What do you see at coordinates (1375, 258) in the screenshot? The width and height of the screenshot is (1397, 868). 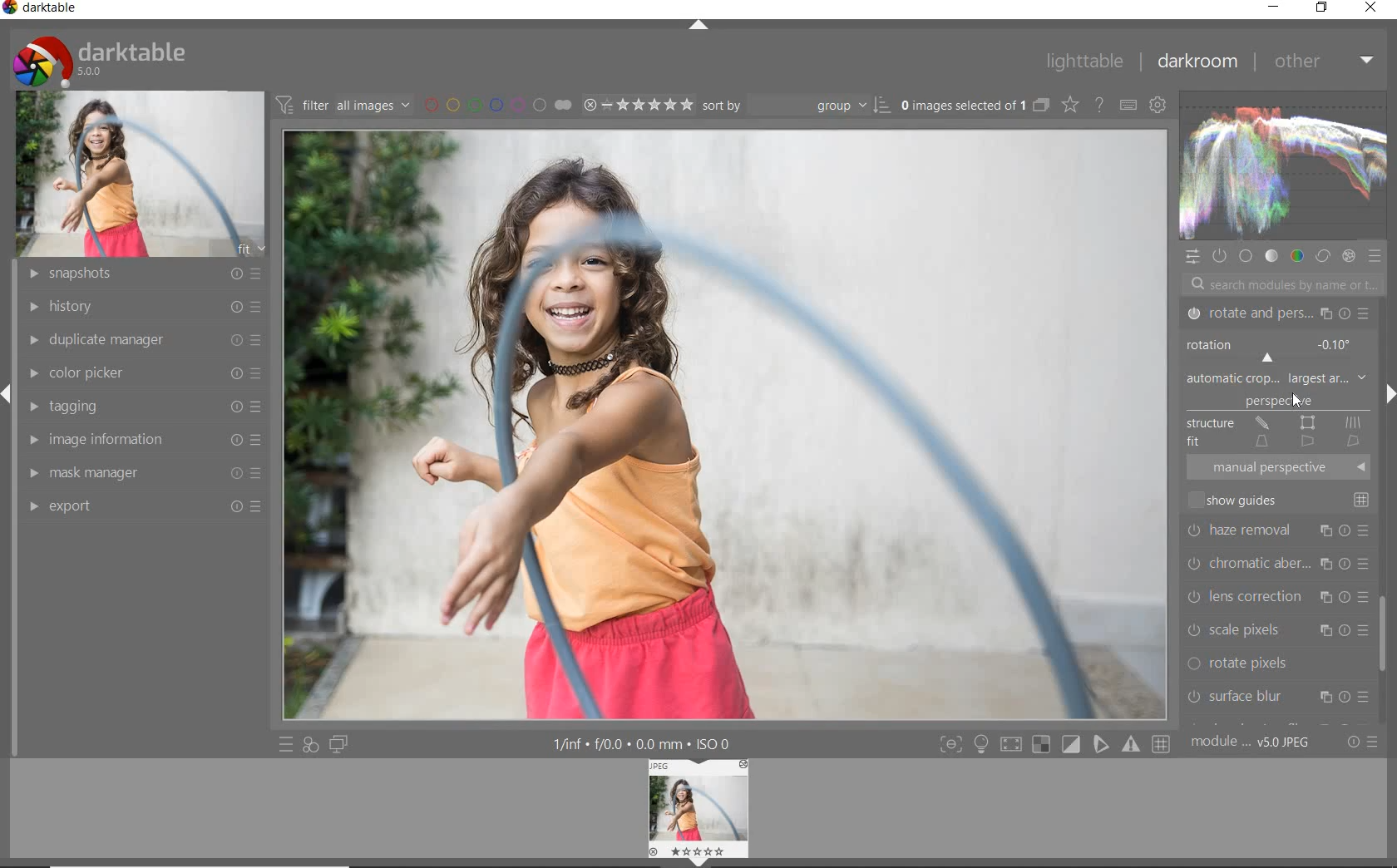 I see `preset ` at bounding box center [1375, 258].